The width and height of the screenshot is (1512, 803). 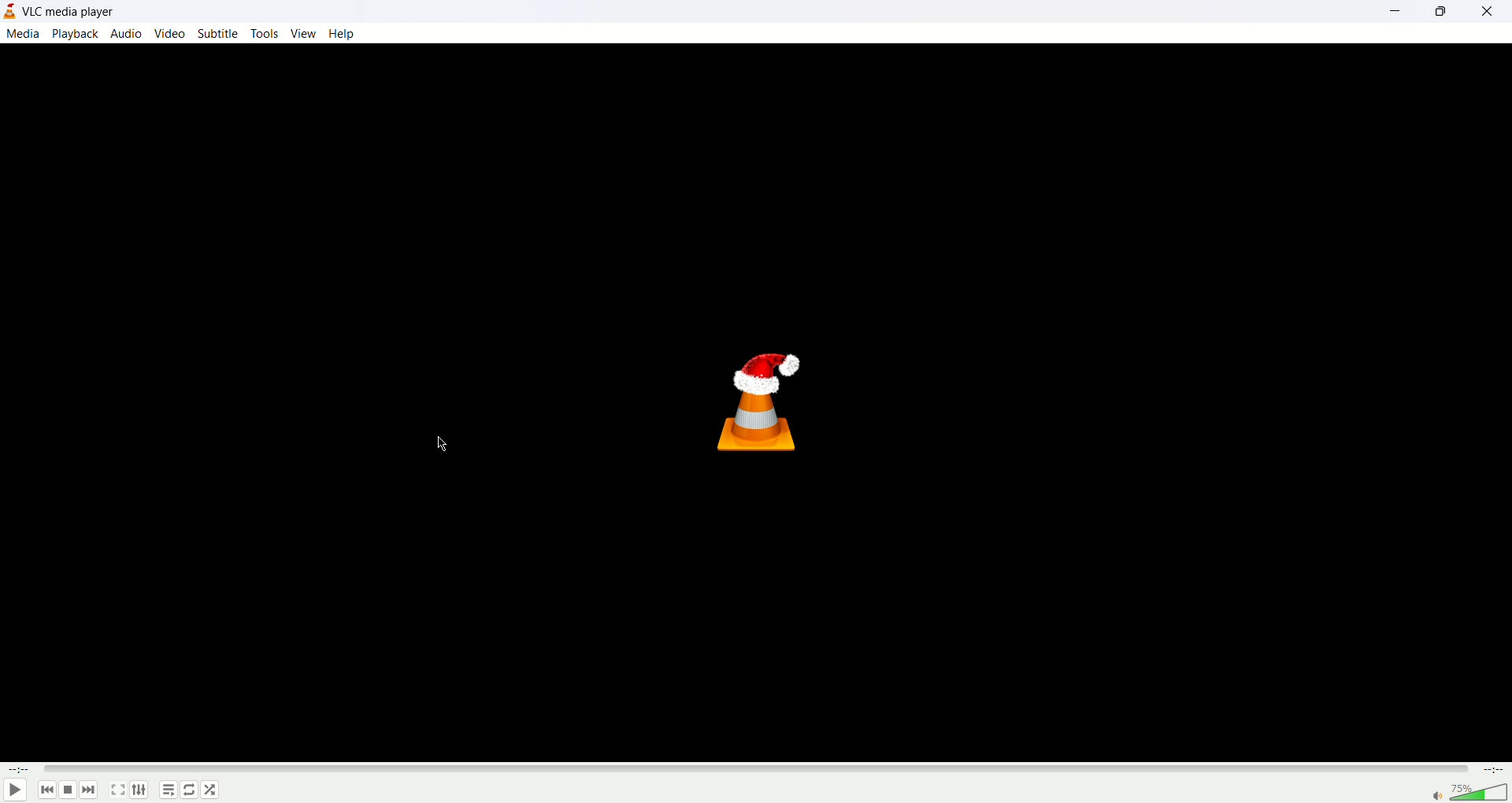 What do you see at coordinates (88, 790) in the screenshot?
I see `next` at bounding box center [88, 790].